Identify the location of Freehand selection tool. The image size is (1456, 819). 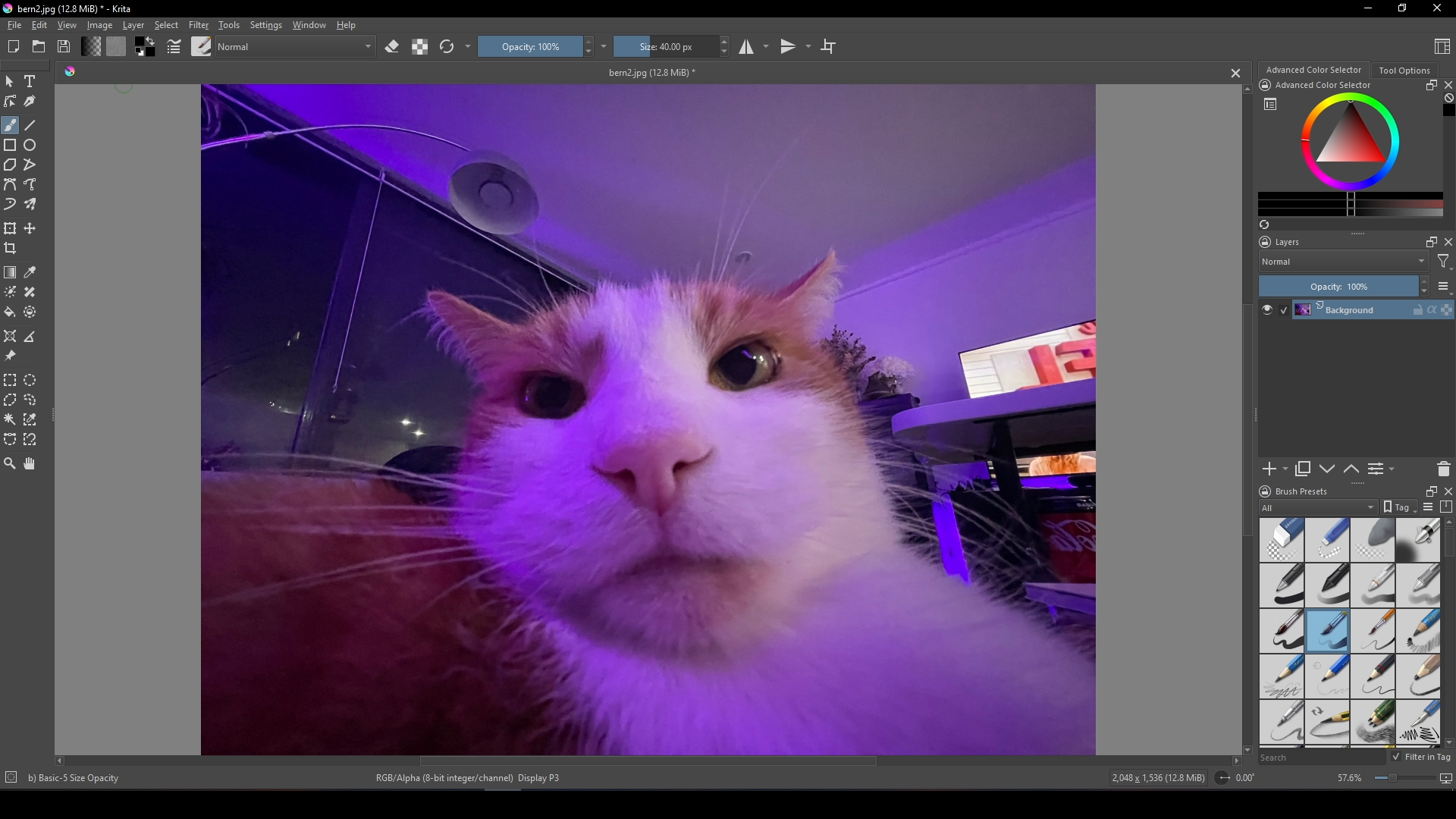
(30, 400).